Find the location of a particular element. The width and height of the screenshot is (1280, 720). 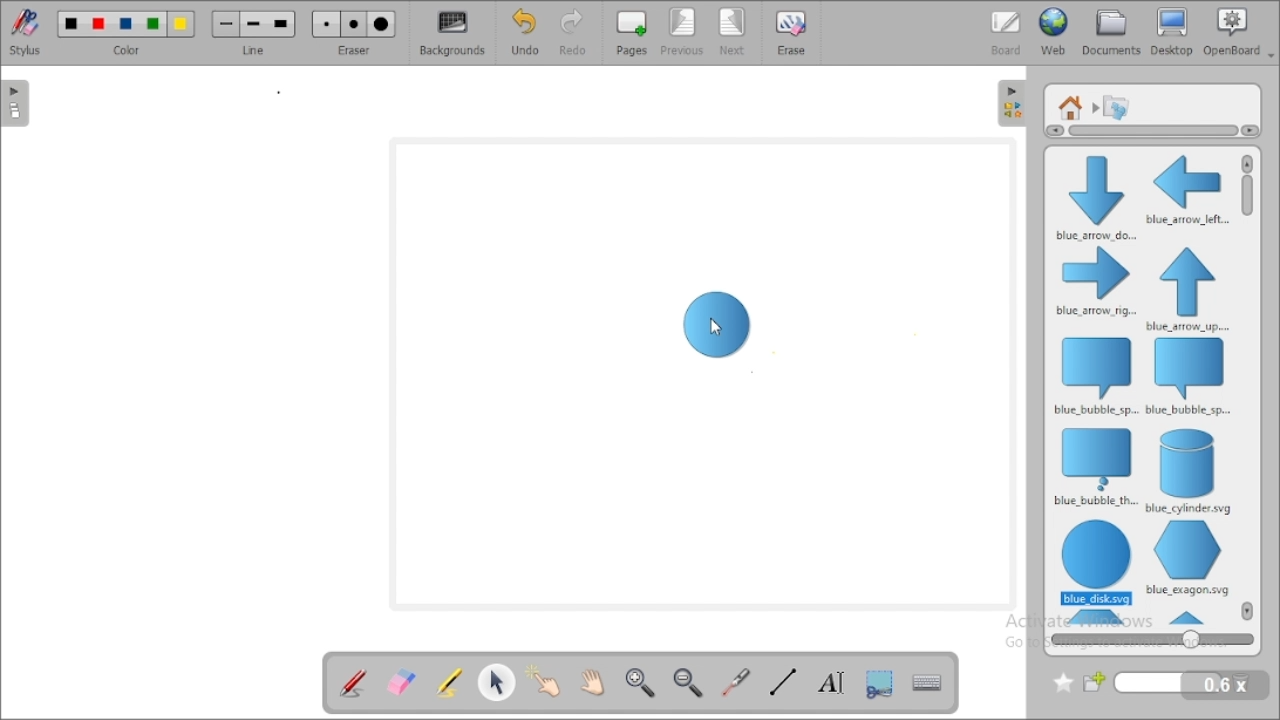

blue bubble think is located at coordinates (1094, 467).